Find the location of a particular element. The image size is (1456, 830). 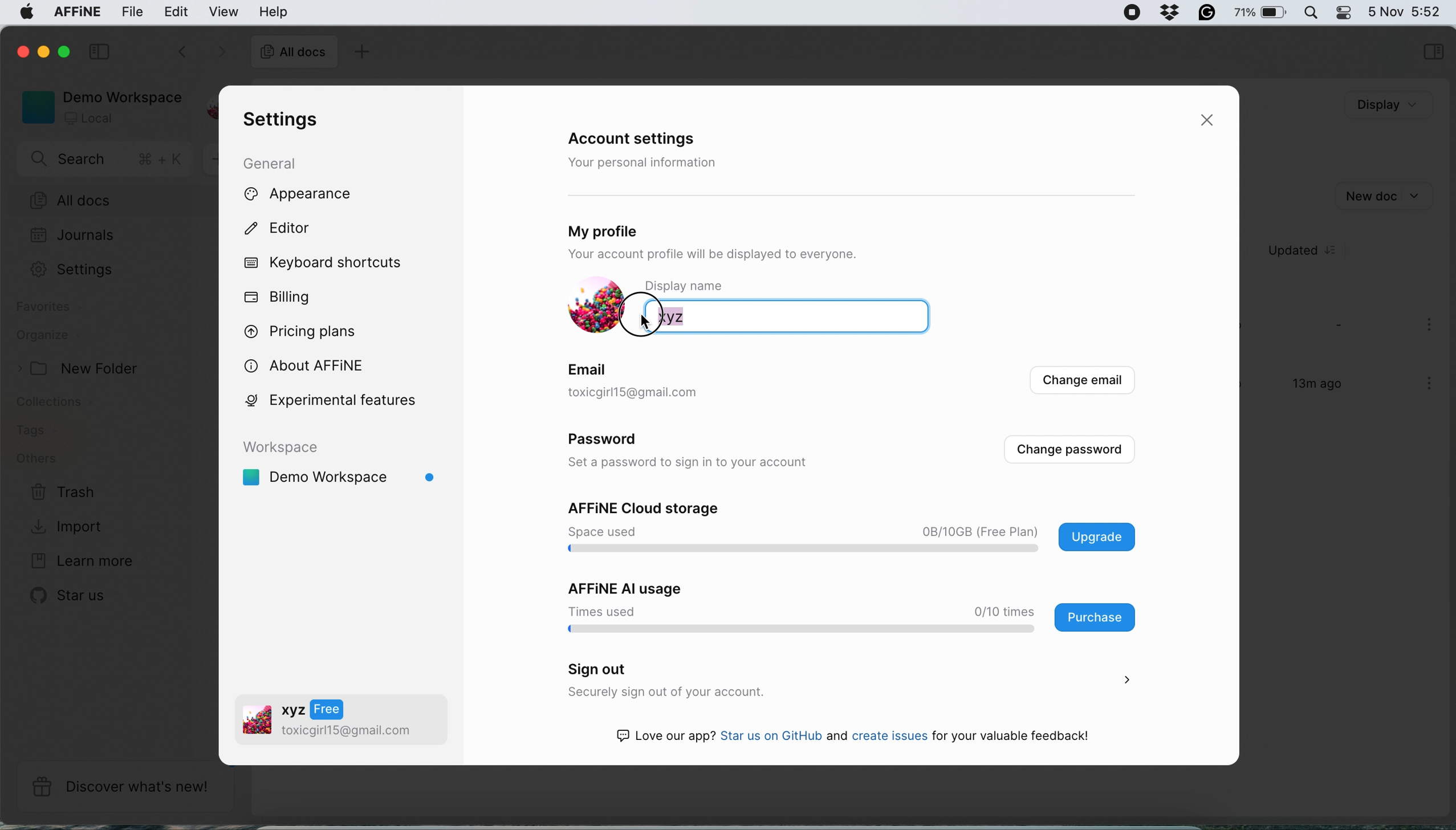

settings is located at coordinates (277, 120).